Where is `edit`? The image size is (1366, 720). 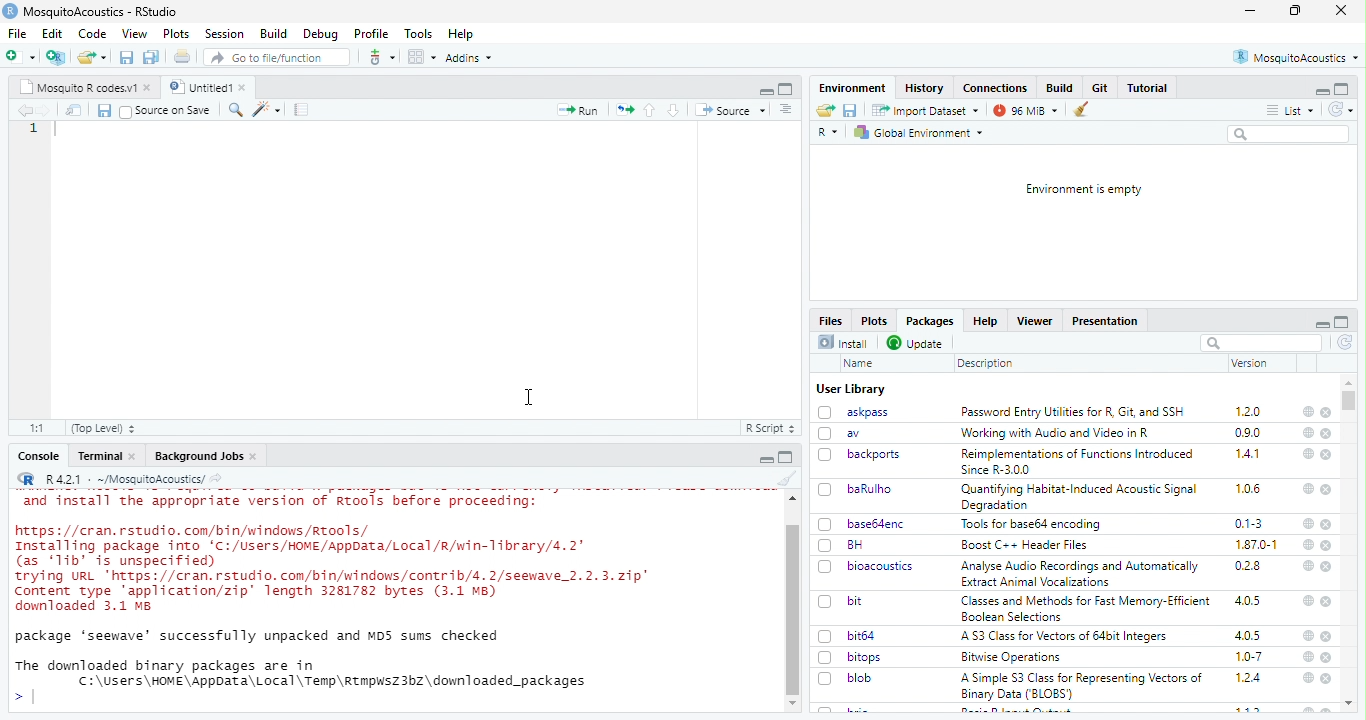
edit is located at coordinates (266, 110).